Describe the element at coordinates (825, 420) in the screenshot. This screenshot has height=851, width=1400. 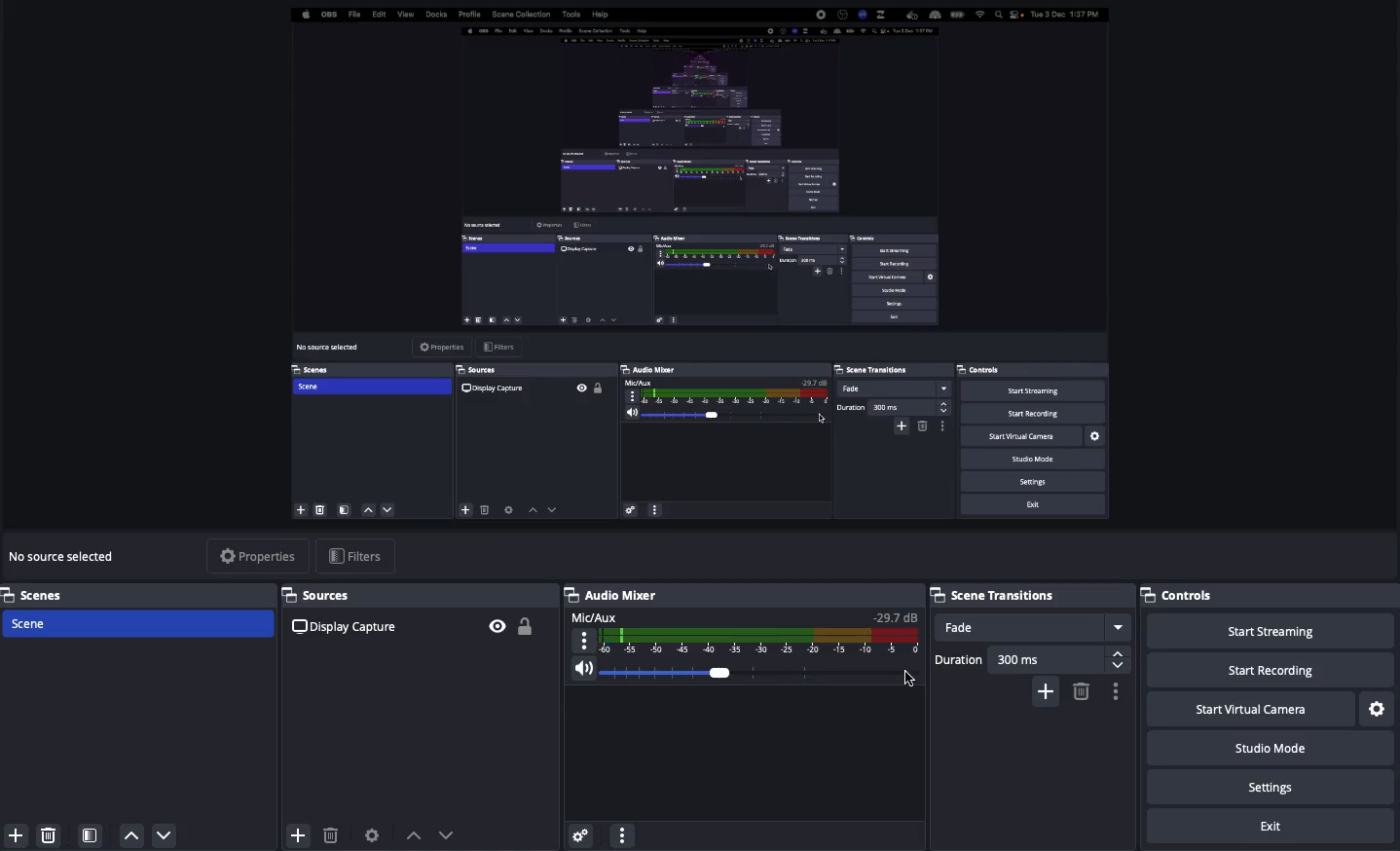
I see `Cursor` at that location.